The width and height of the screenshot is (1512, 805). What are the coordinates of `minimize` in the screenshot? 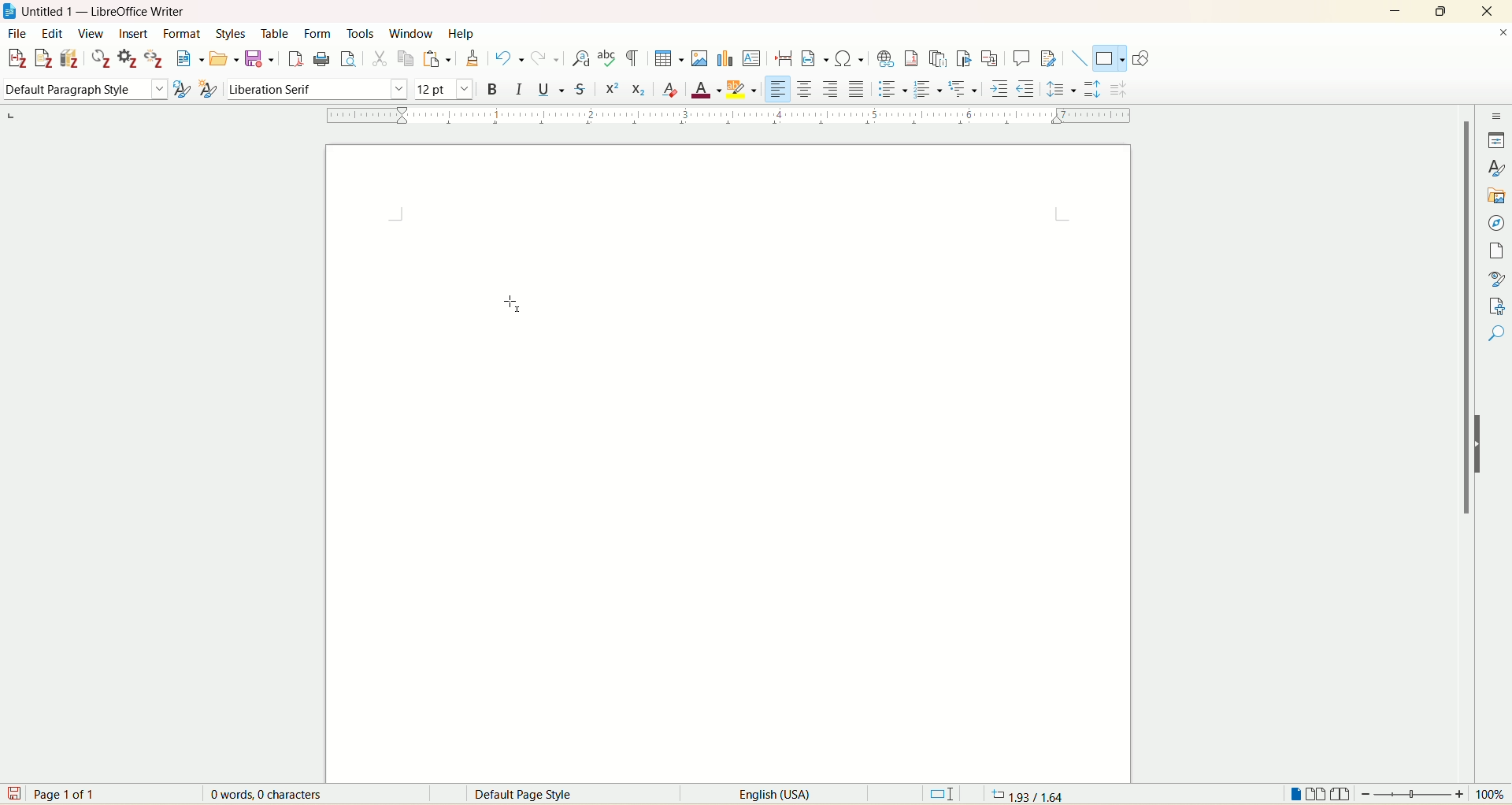 It's located at (1395, 9).